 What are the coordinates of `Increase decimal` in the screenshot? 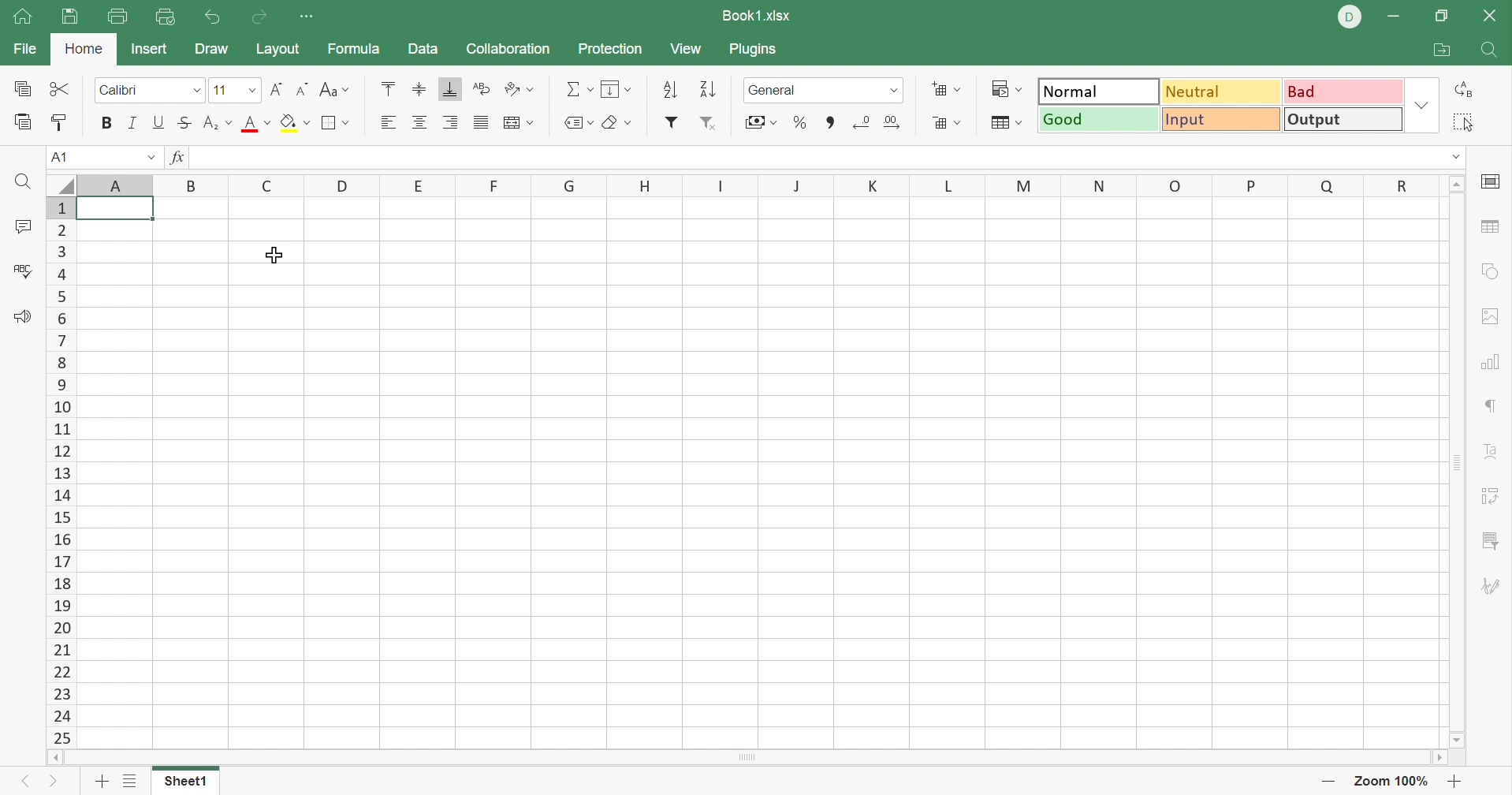 It's located at (896, 123).